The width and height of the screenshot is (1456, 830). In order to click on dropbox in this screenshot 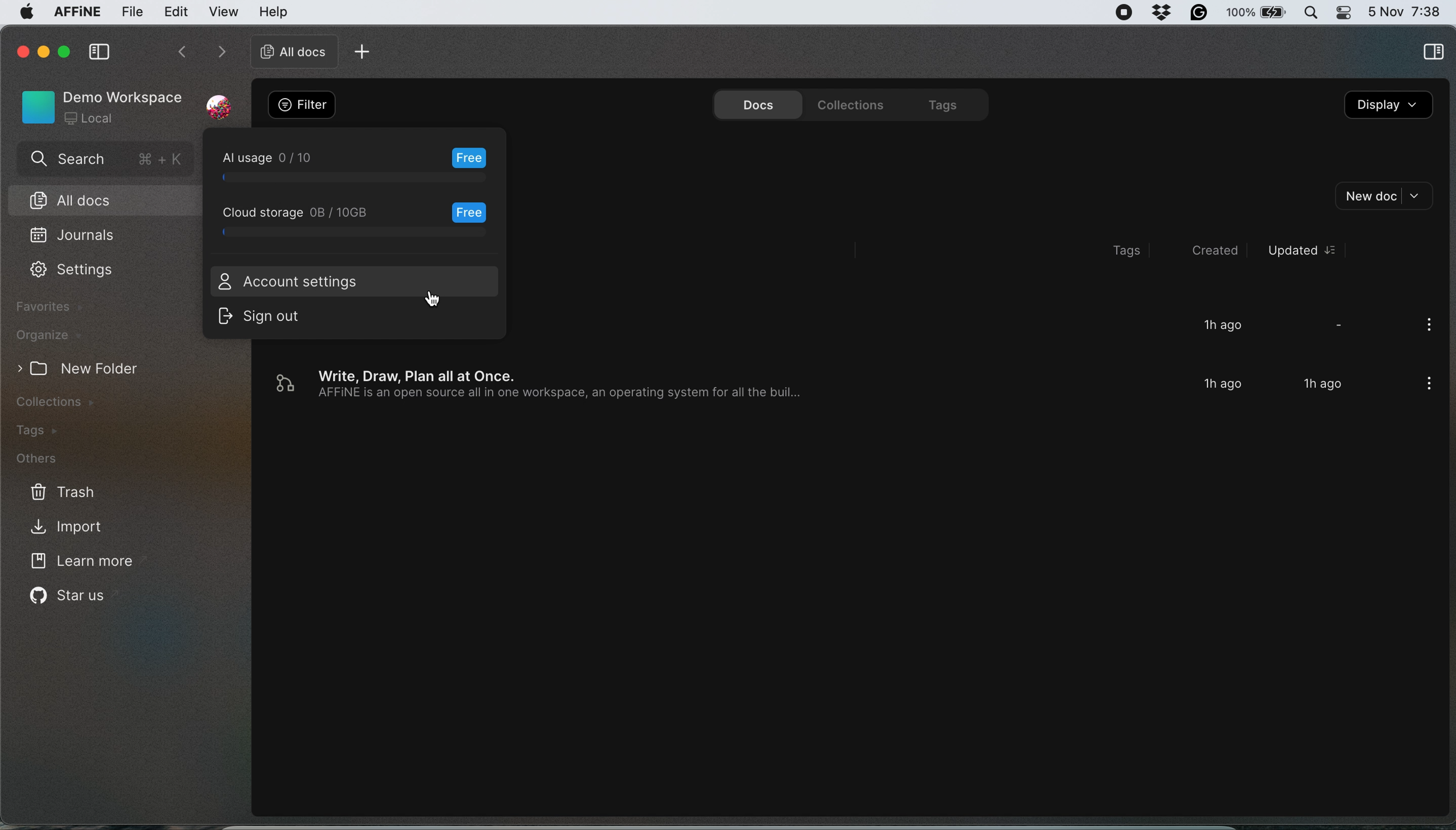, I will do `click(1164, 13)`.